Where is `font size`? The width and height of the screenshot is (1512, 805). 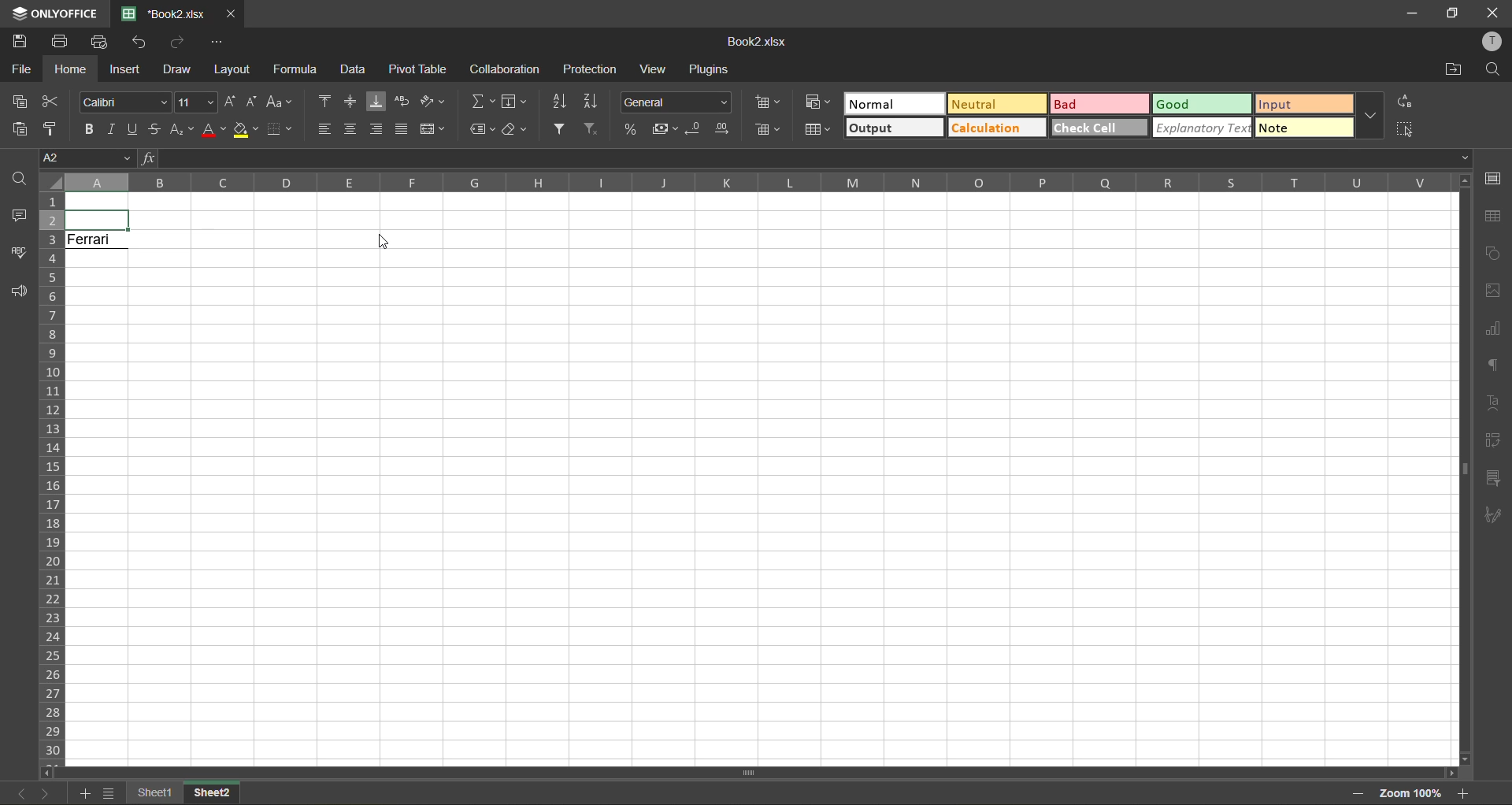
font size is located at coordinates (195, 100).